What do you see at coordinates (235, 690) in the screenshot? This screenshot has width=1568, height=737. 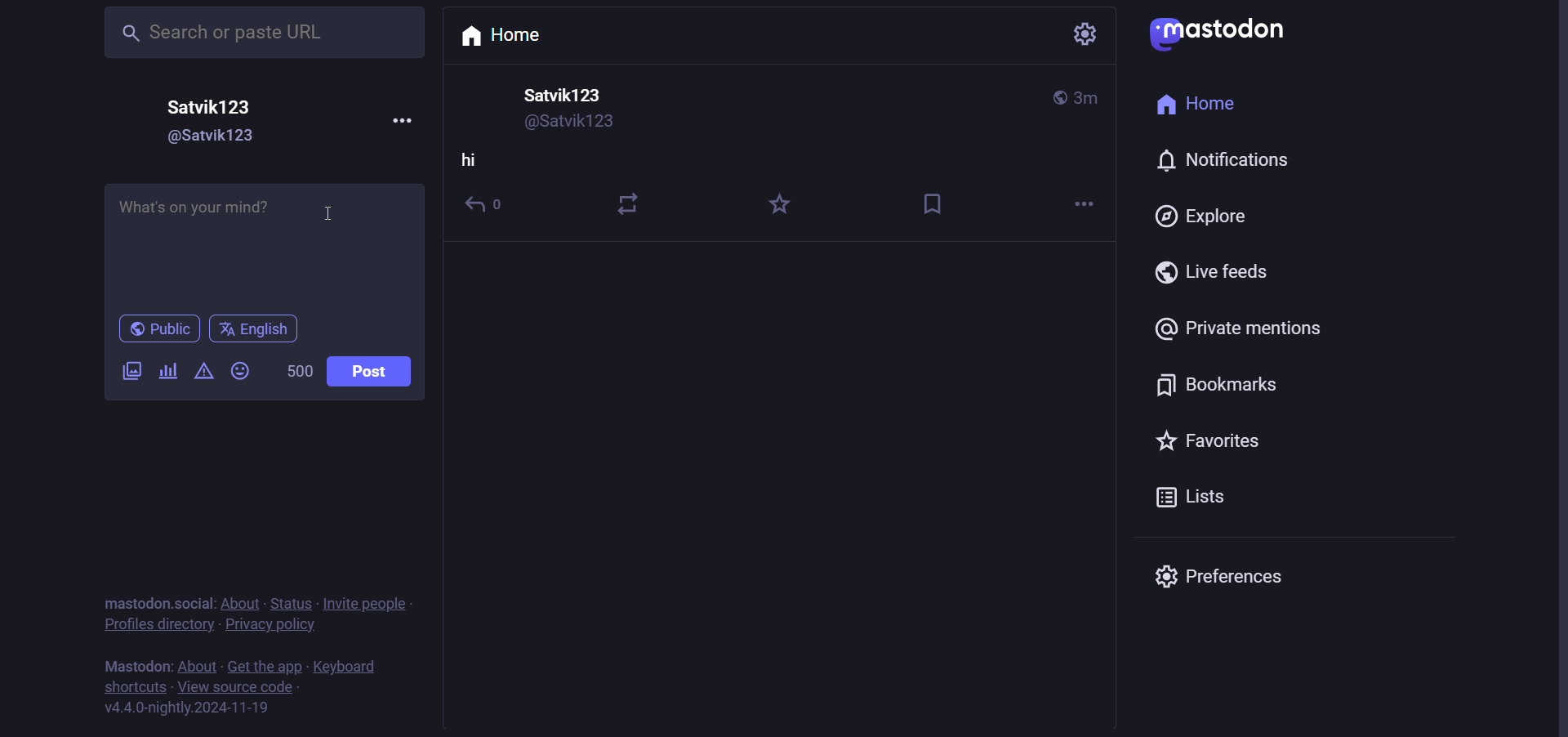 I see `source code` at bounding box center [235, 690].